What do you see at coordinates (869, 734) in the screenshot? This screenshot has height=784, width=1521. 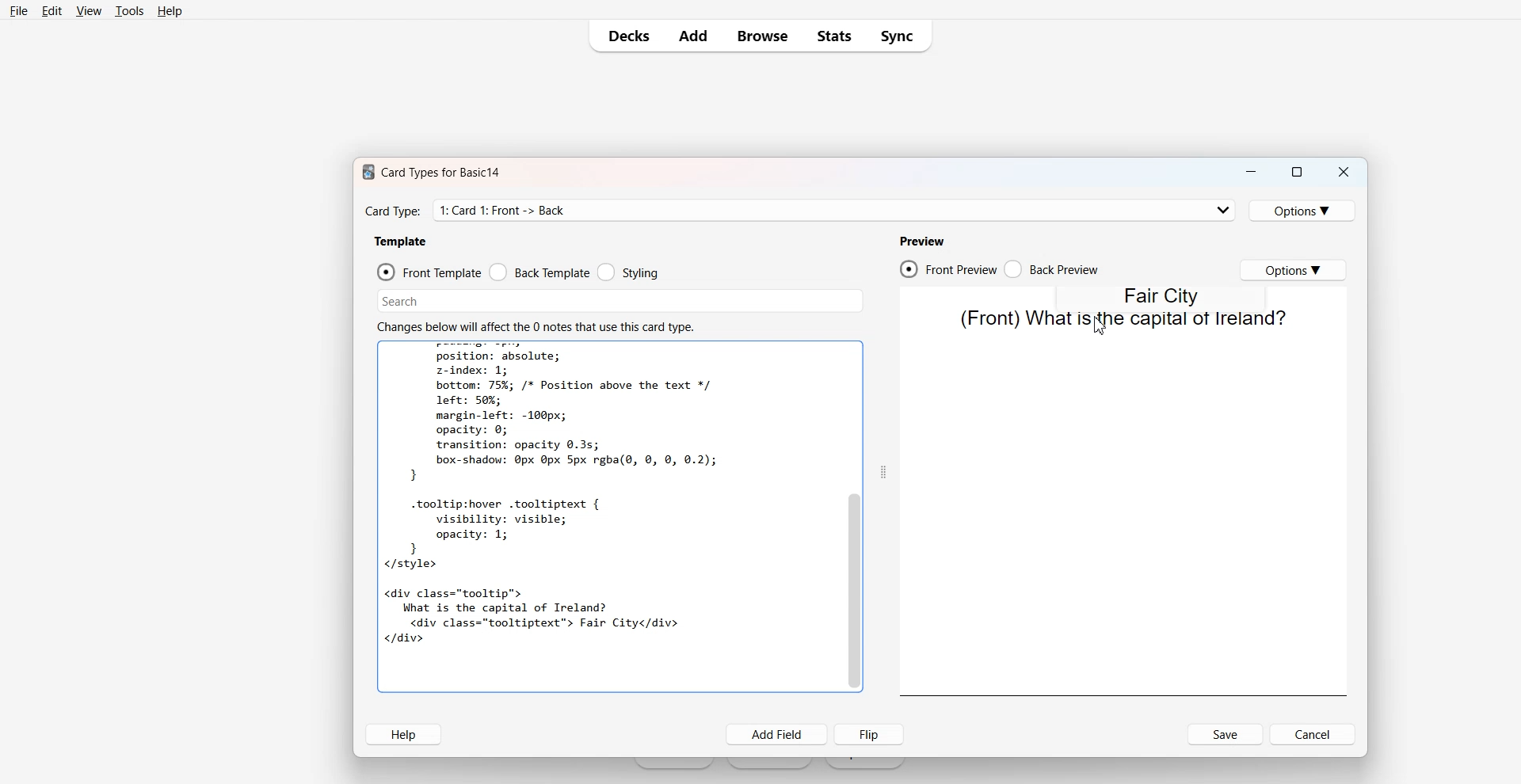 I see `Flip` at bounding box center [869, 734].